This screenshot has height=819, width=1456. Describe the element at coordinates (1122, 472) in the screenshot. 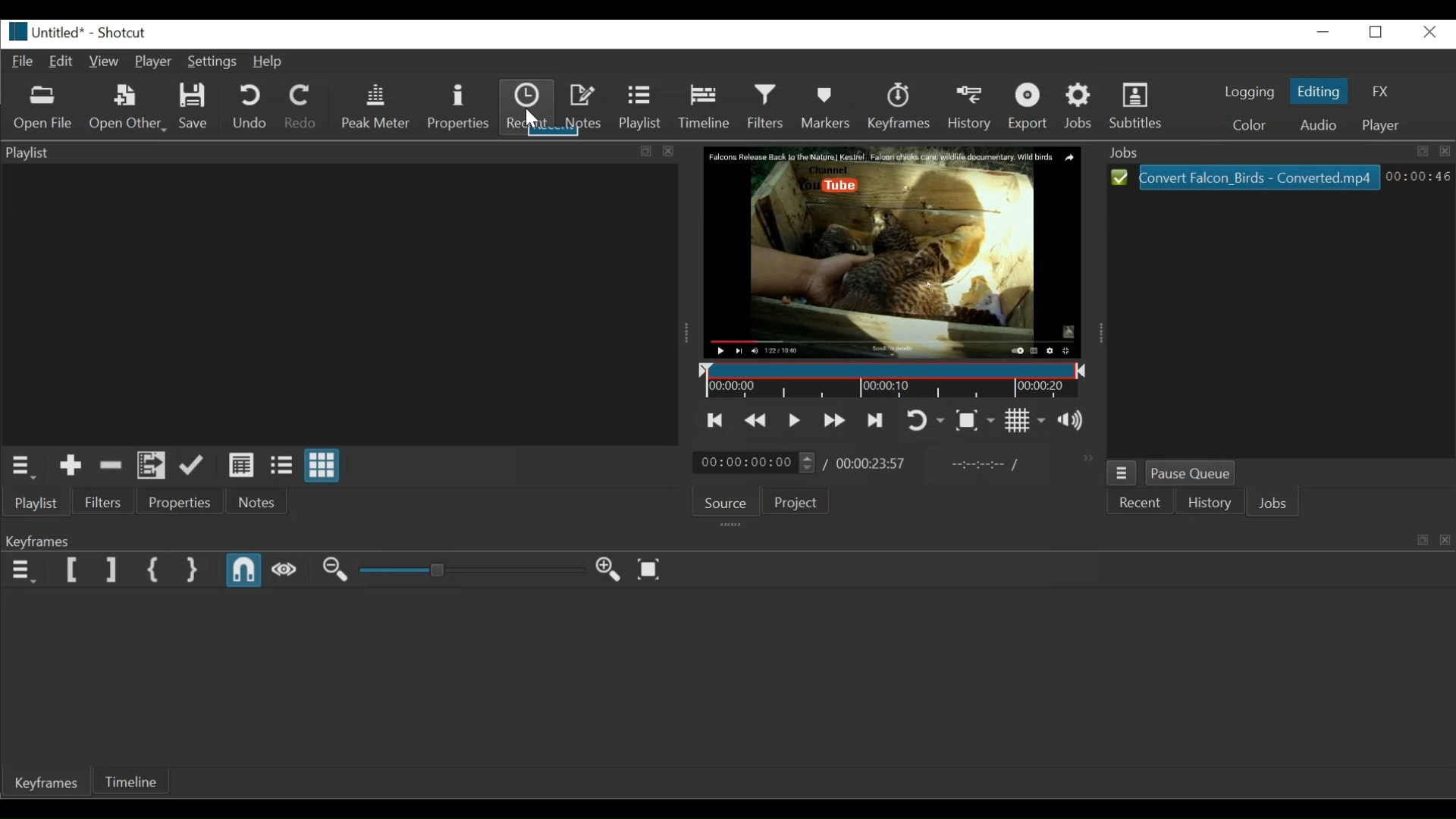

I see `Jobs menu` at that location.